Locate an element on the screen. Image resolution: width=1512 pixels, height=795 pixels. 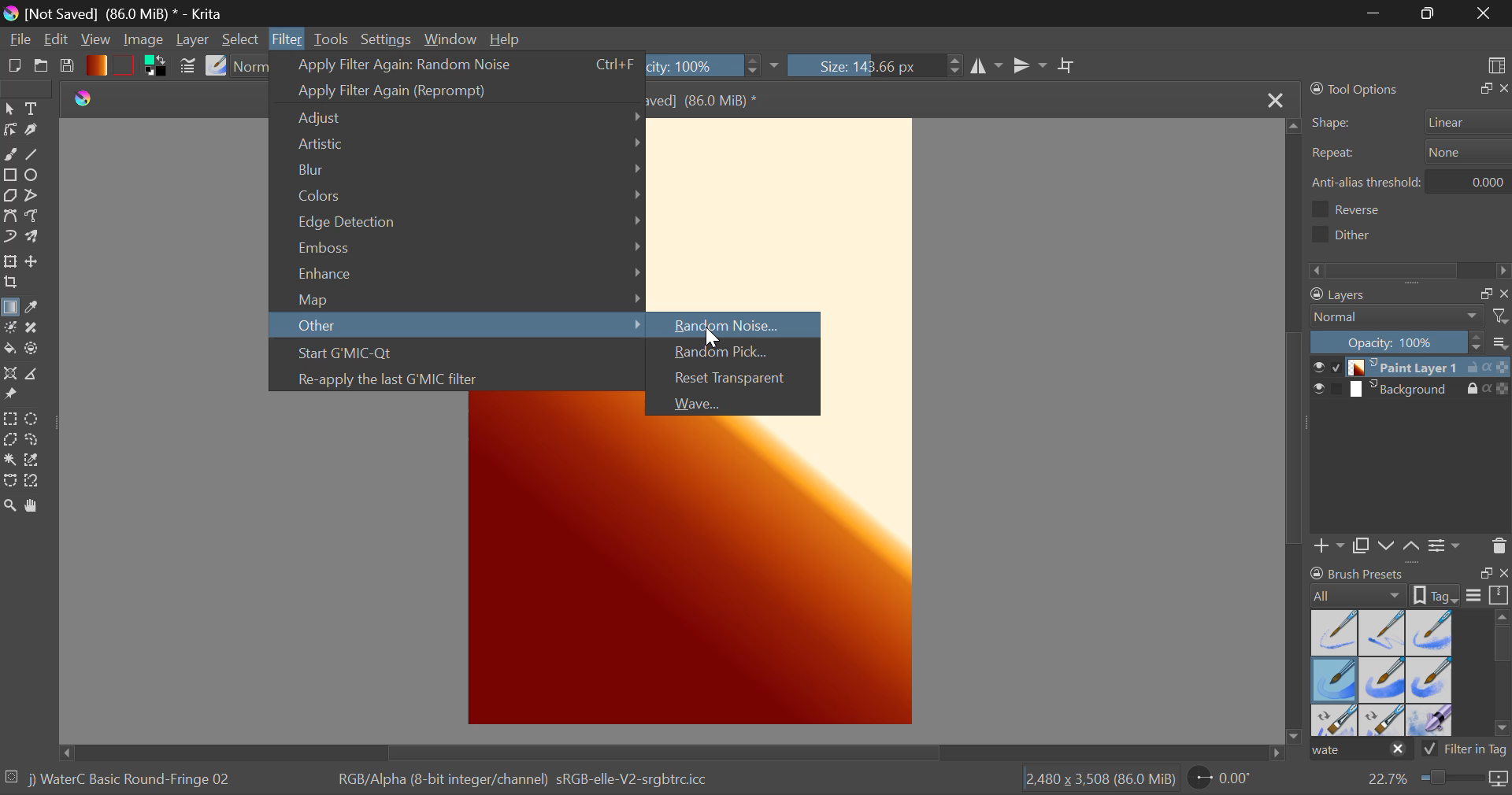
Pattern is located at coordinates (126, 64).